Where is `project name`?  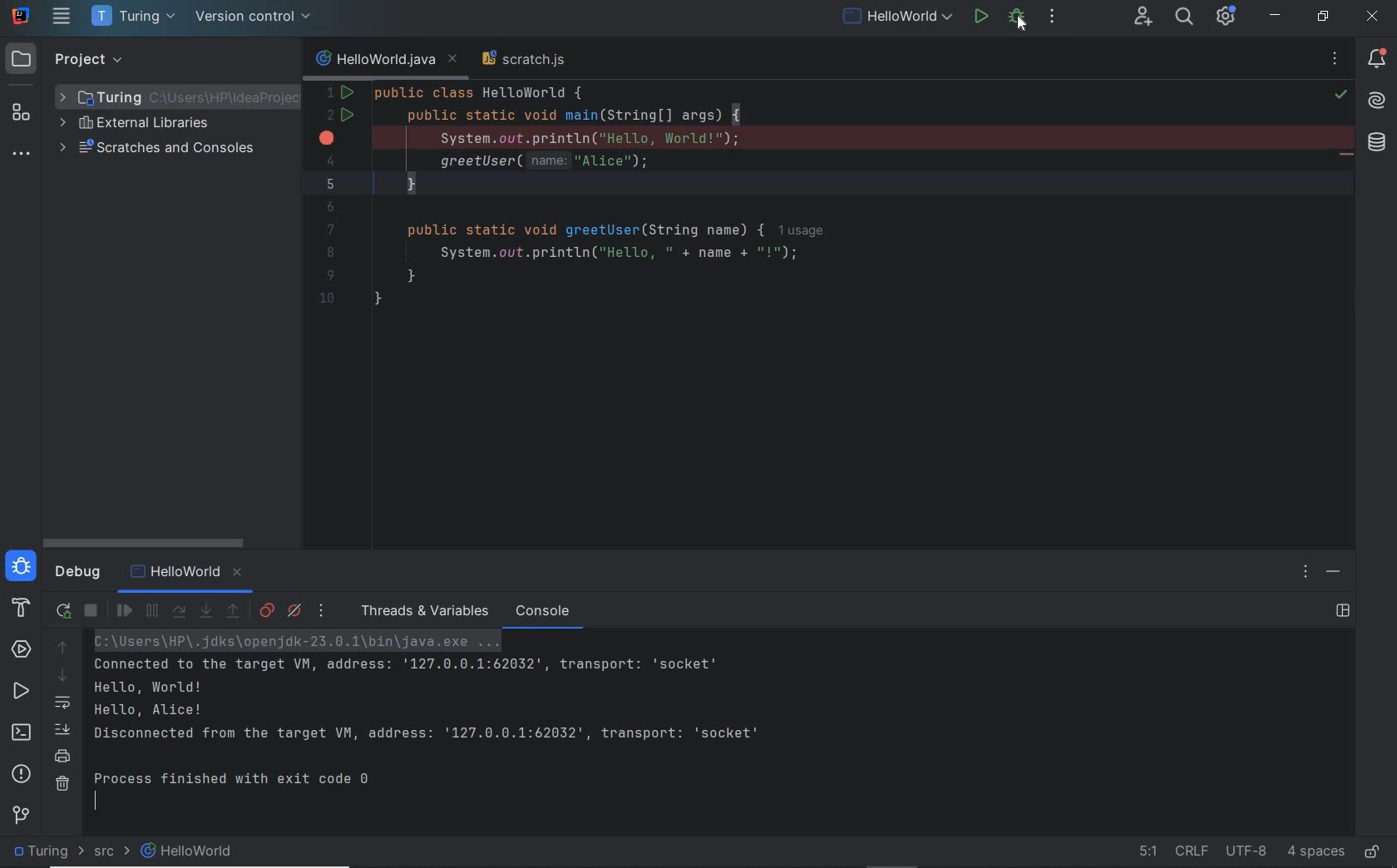
project name is located at coordinates (133, 18).